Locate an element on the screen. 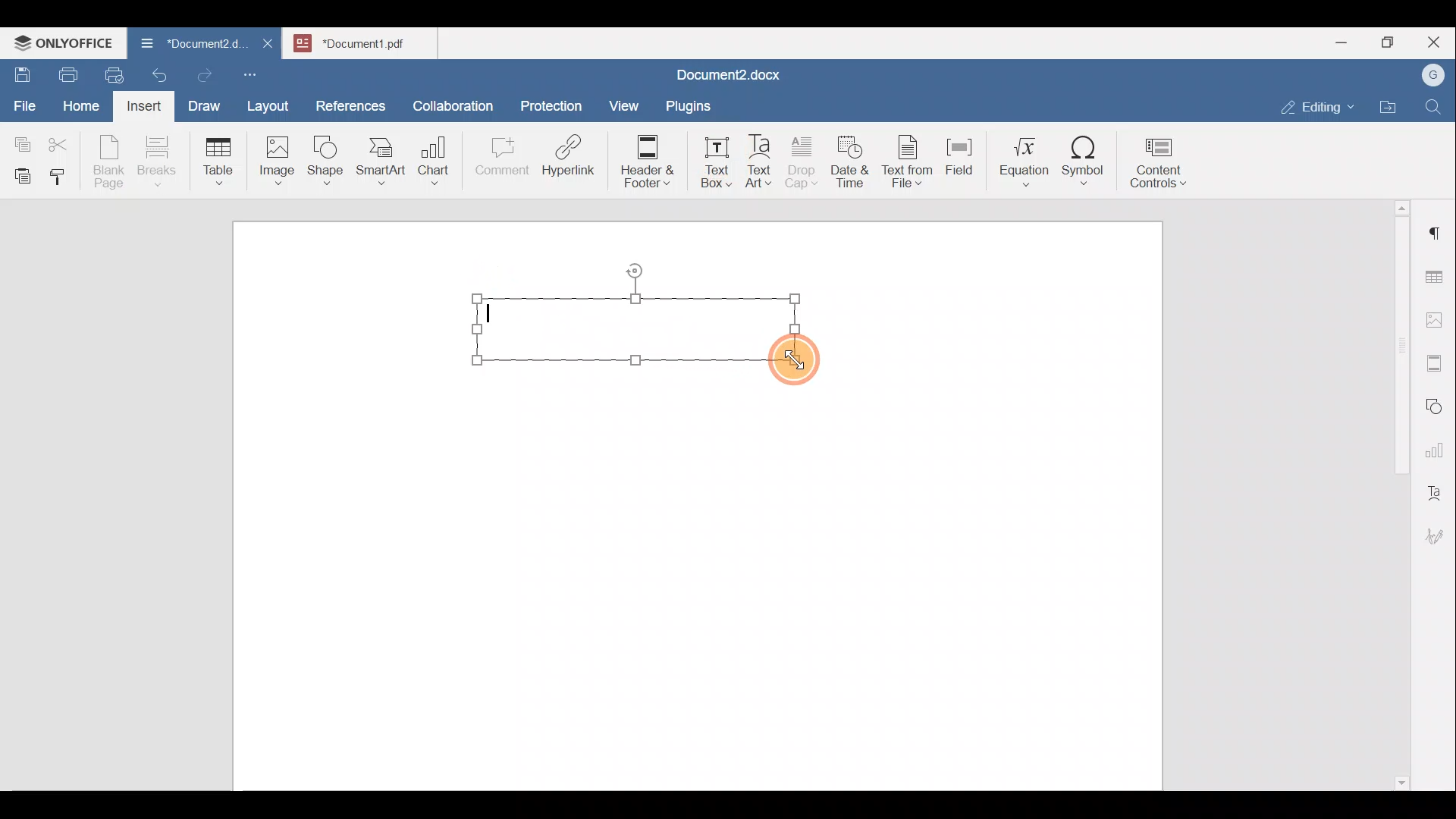  Close document is located at coordinates (268, 45).